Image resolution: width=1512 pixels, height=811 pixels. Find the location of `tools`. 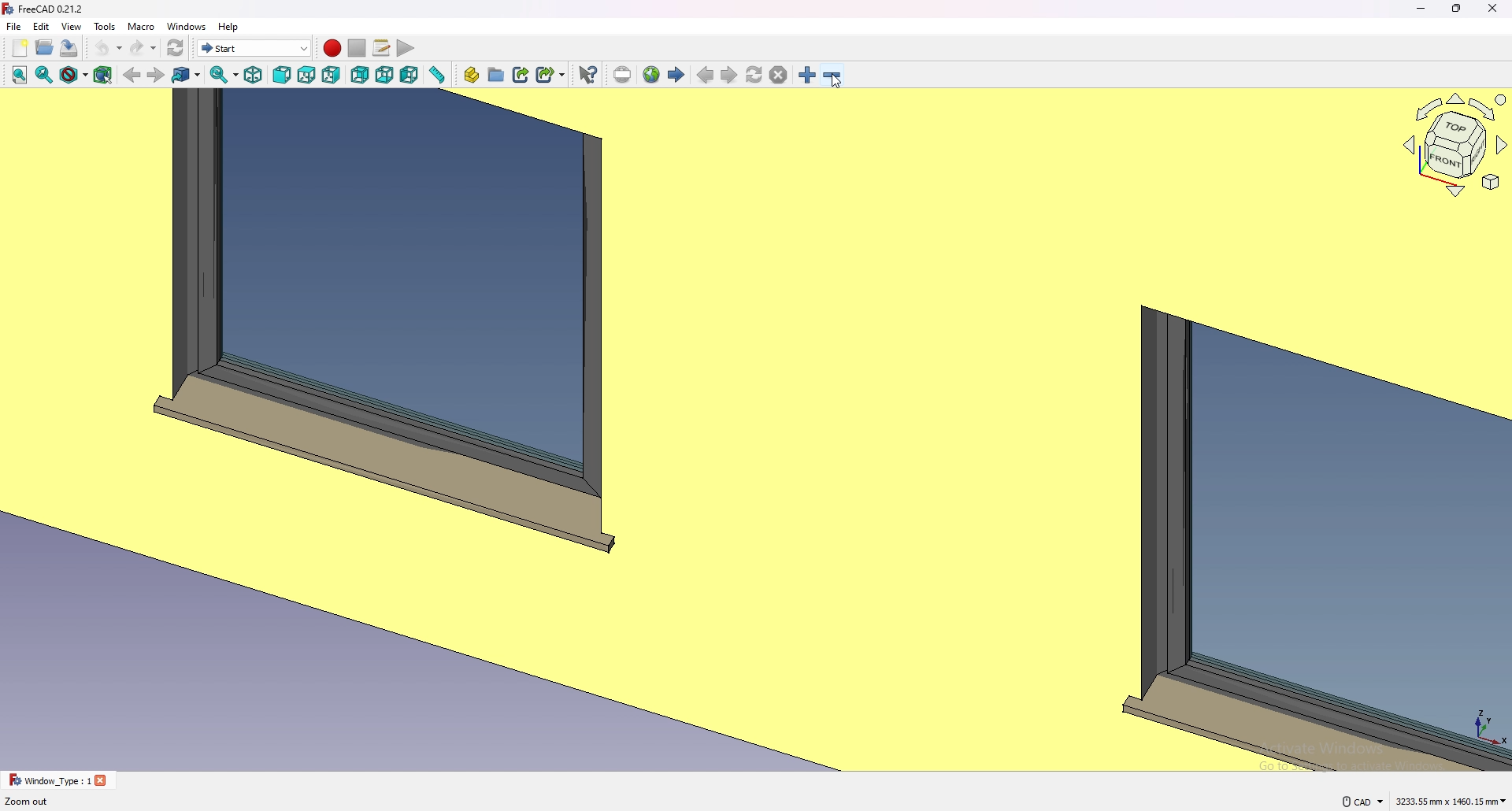

tools is located at coordinates (104, 26).